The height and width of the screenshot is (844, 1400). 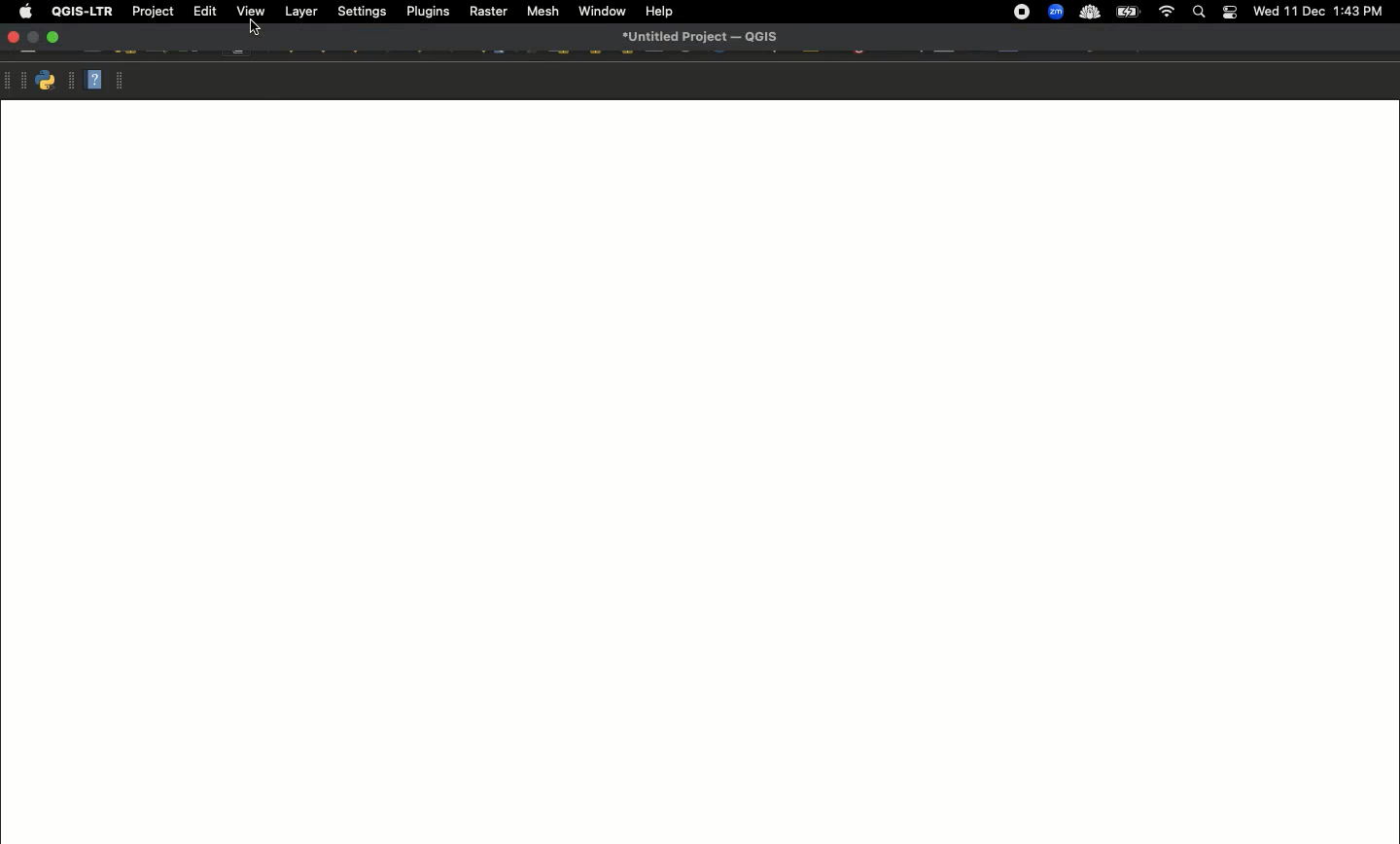 I want to click on Cursor, so click(x=253, y=29).